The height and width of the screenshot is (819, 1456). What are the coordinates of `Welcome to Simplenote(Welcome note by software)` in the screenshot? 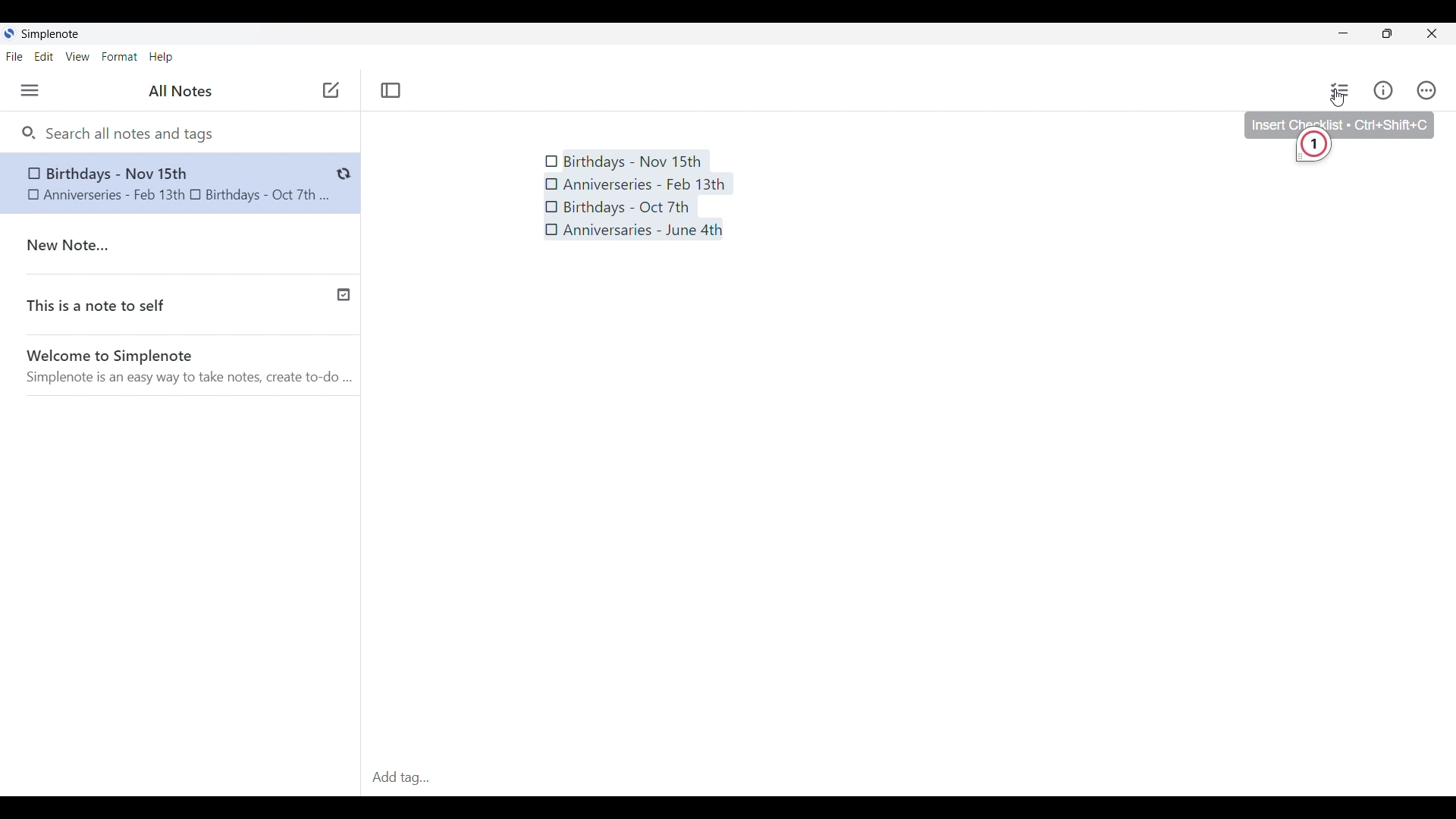 It's located at (191, 369).